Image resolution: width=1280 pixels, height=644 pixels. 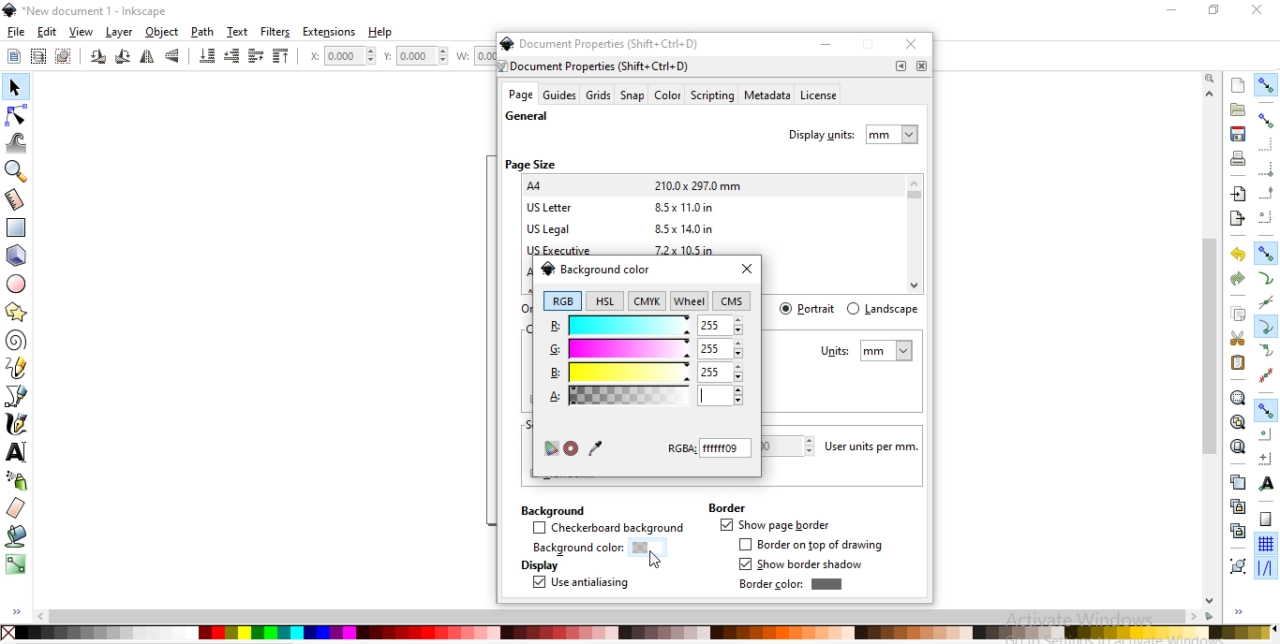 I want to click on RGBA, so click(x=710, y=448).